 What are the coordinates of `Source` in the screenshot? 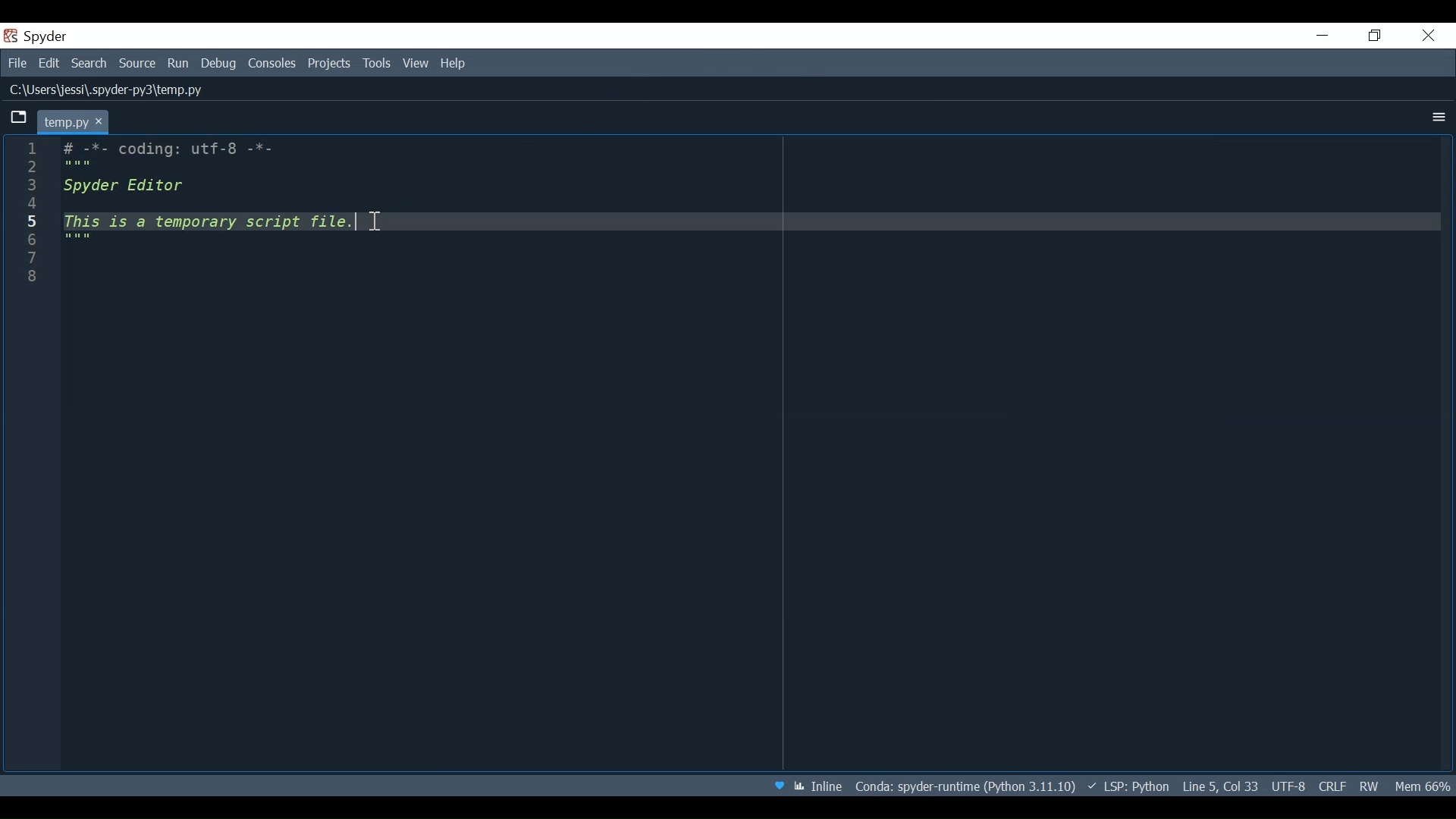 It's located at (138, 63).